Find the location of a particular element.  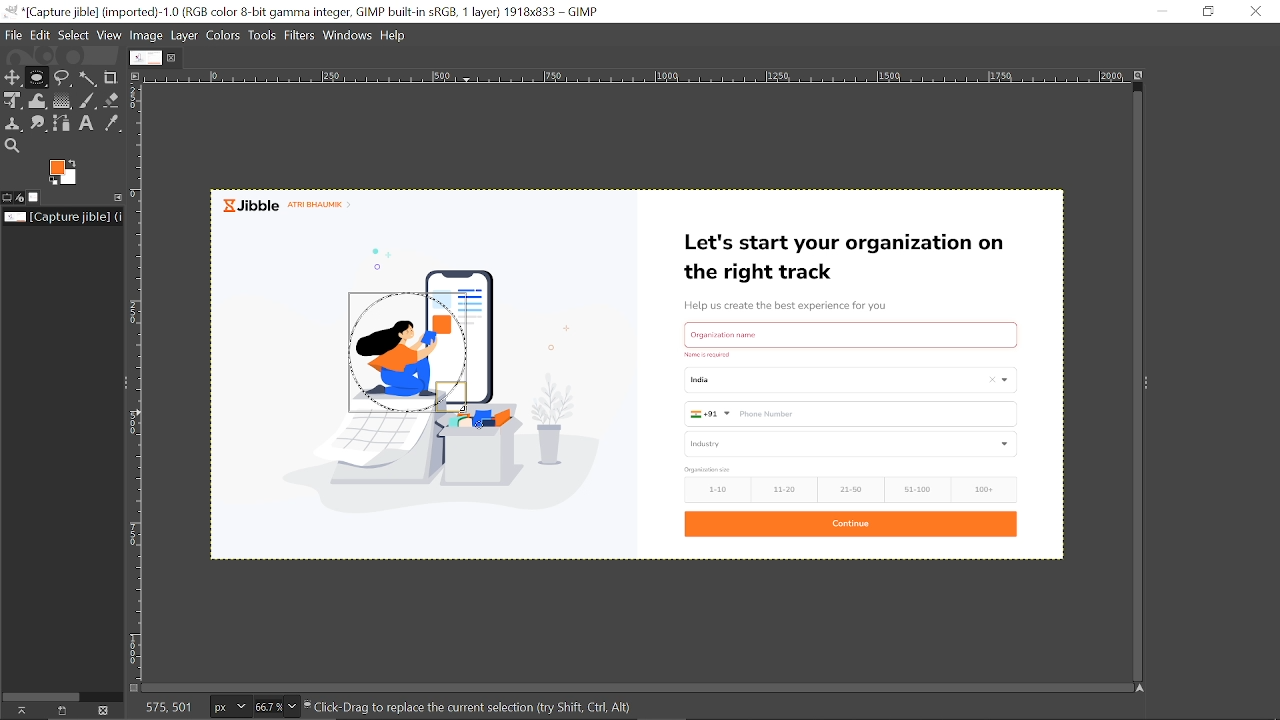

Select is located at coordinates (74, 34).